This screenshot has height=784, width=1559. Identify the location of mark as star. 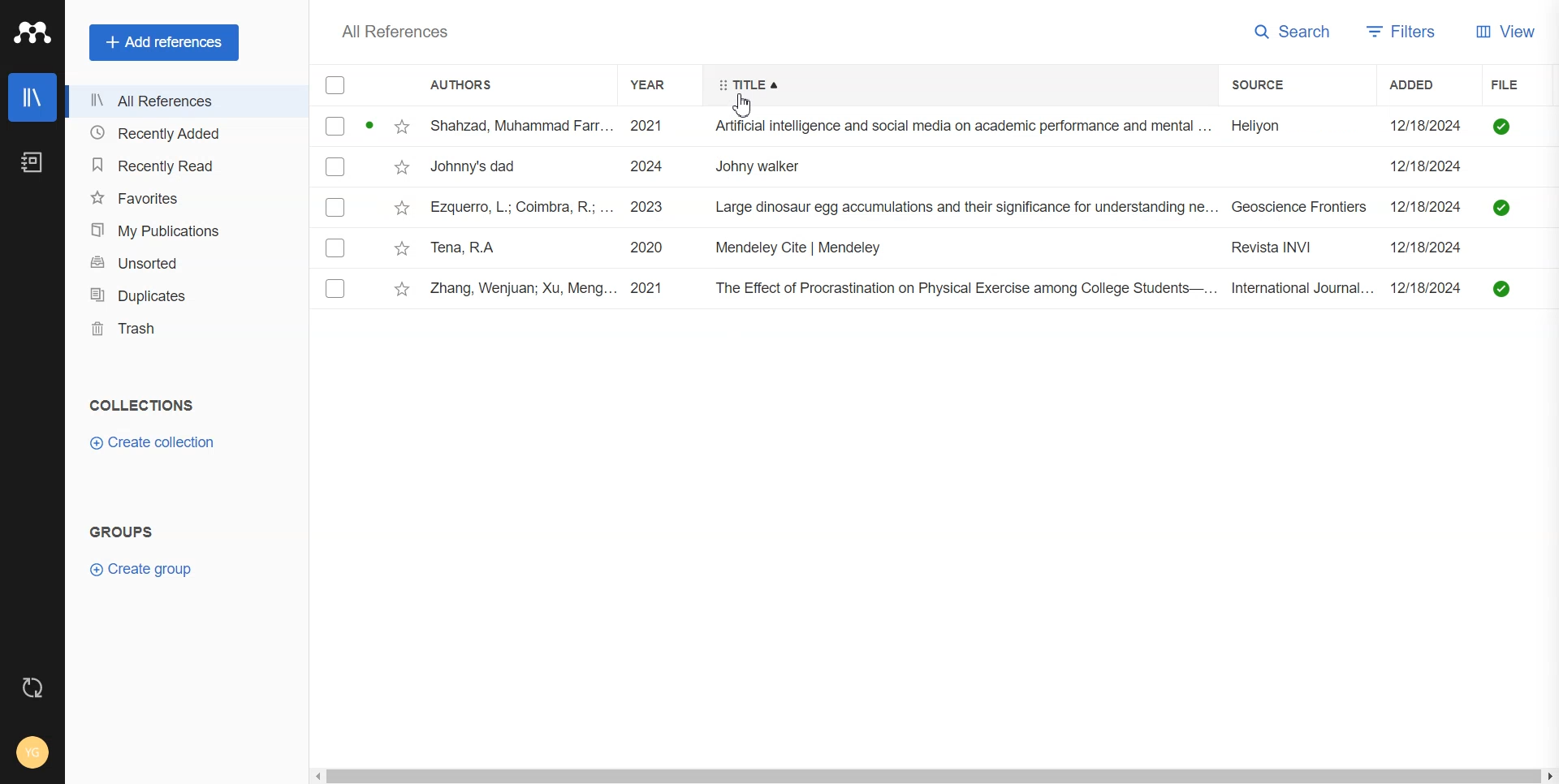
(399, 247).